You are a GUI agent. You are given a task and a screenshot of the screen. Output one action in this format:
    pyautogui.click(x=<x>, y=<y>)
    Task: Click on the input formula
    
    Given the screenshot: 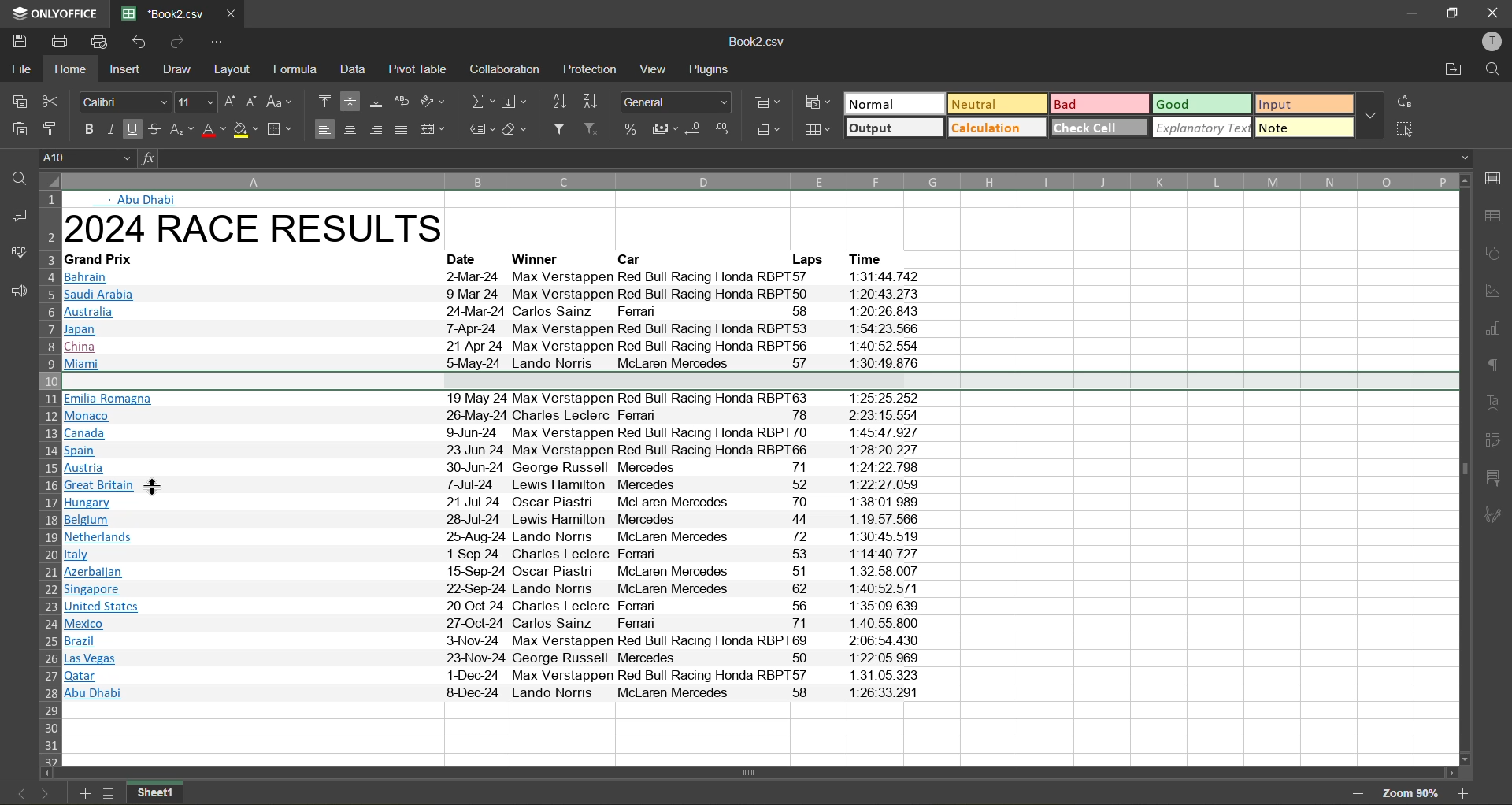 What is the action you would take?
    pyautogui.click(x=146, y=159)
    